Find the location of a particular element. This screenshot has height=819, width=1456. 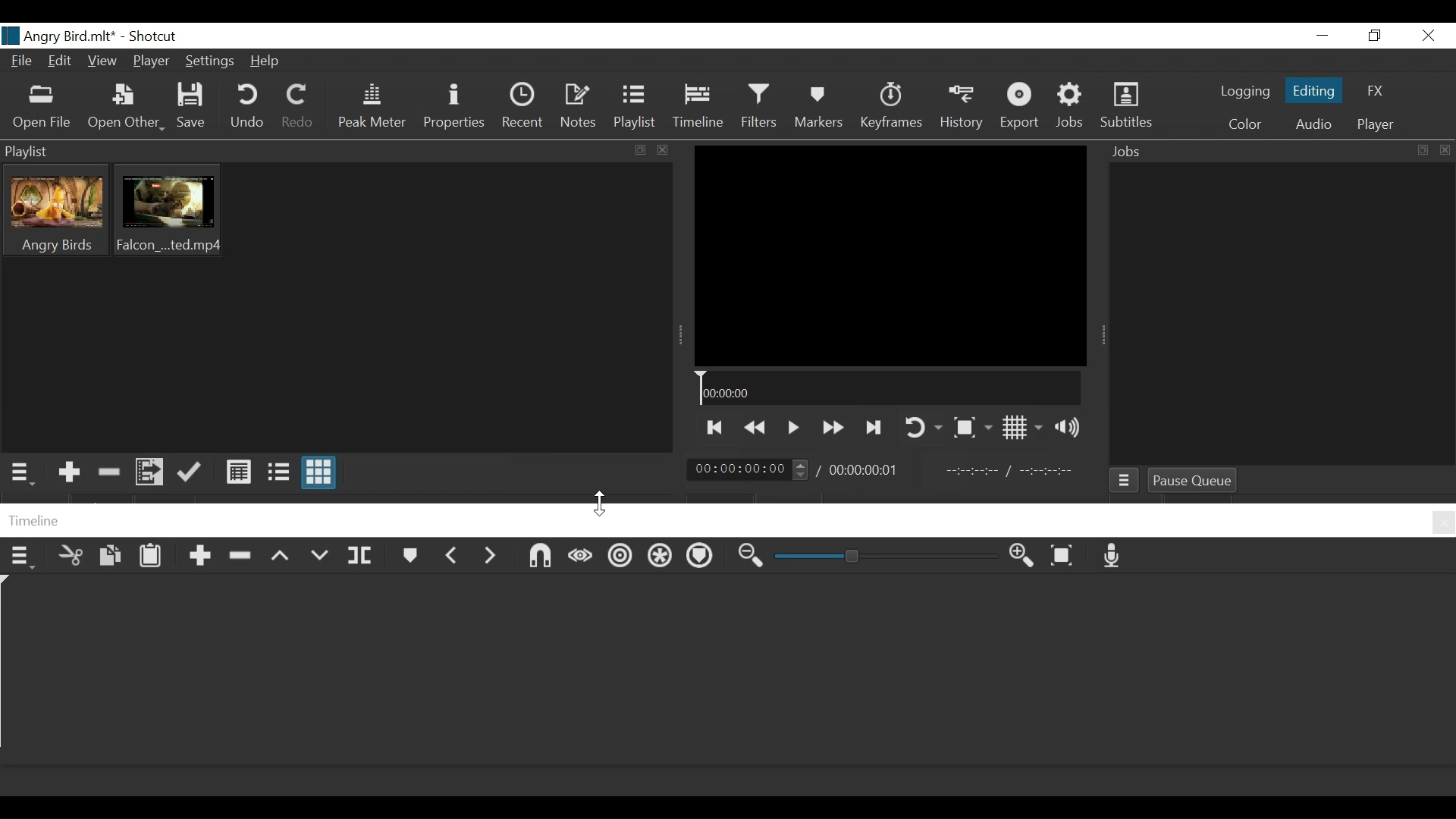

Copy is located at coordinates (111, 560).